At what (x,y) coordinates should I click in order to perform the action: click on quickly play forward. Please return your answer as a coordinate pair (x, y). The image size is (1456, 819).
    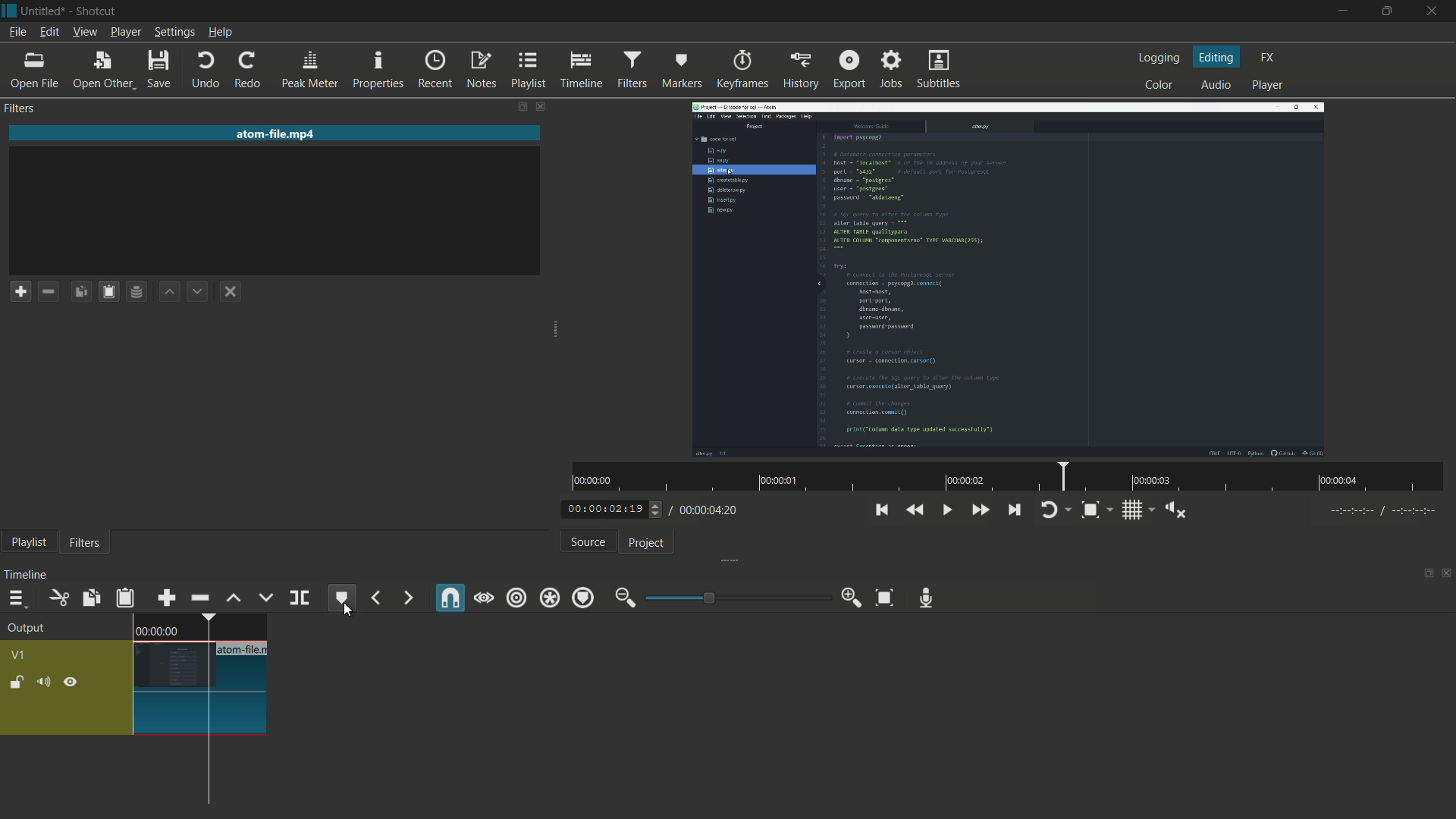
    Looking at the image, I should click on (977, 511).